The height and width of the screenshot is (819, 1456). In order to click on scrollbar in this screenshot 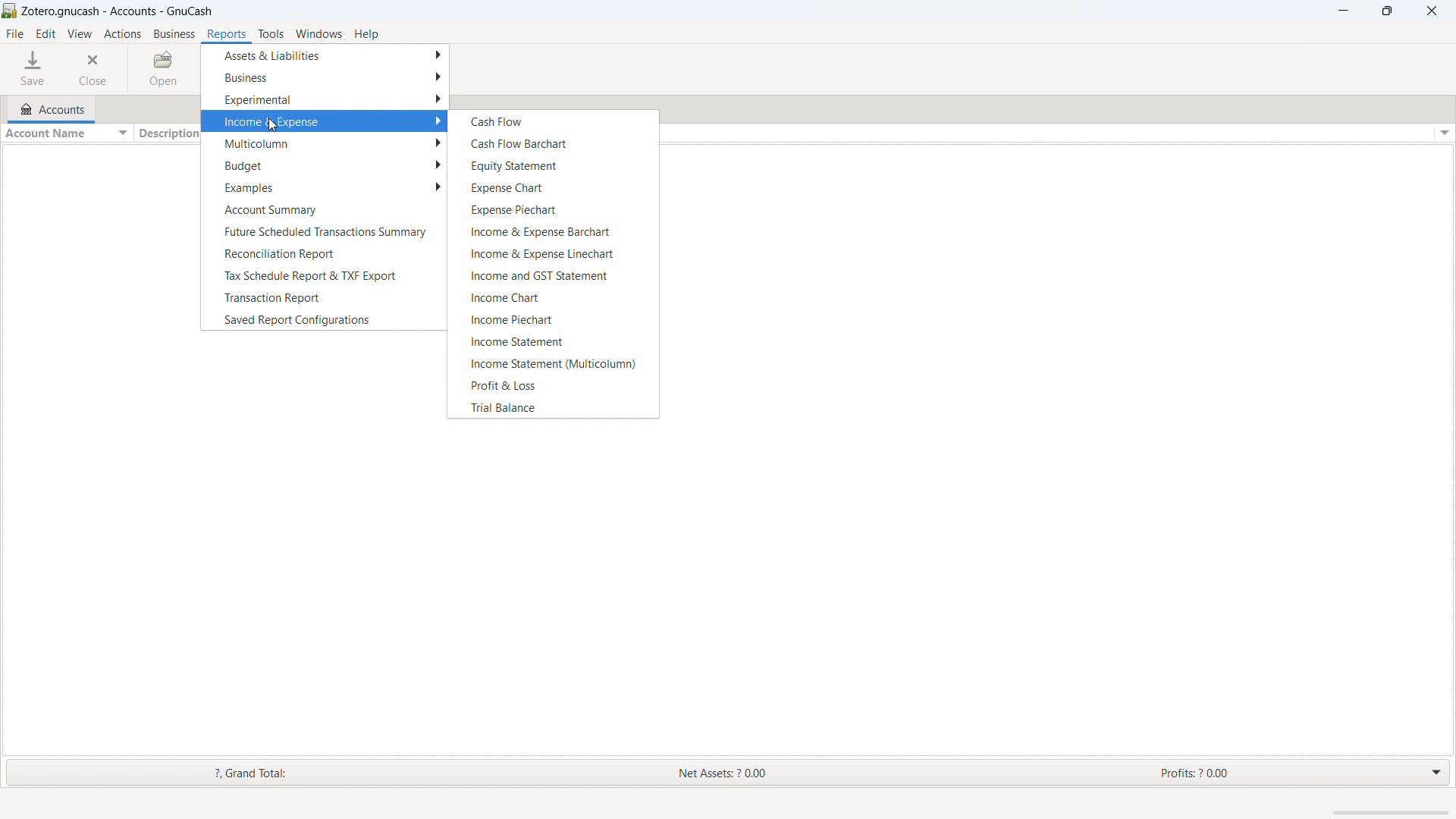, I will do `click(1389, 811)`.